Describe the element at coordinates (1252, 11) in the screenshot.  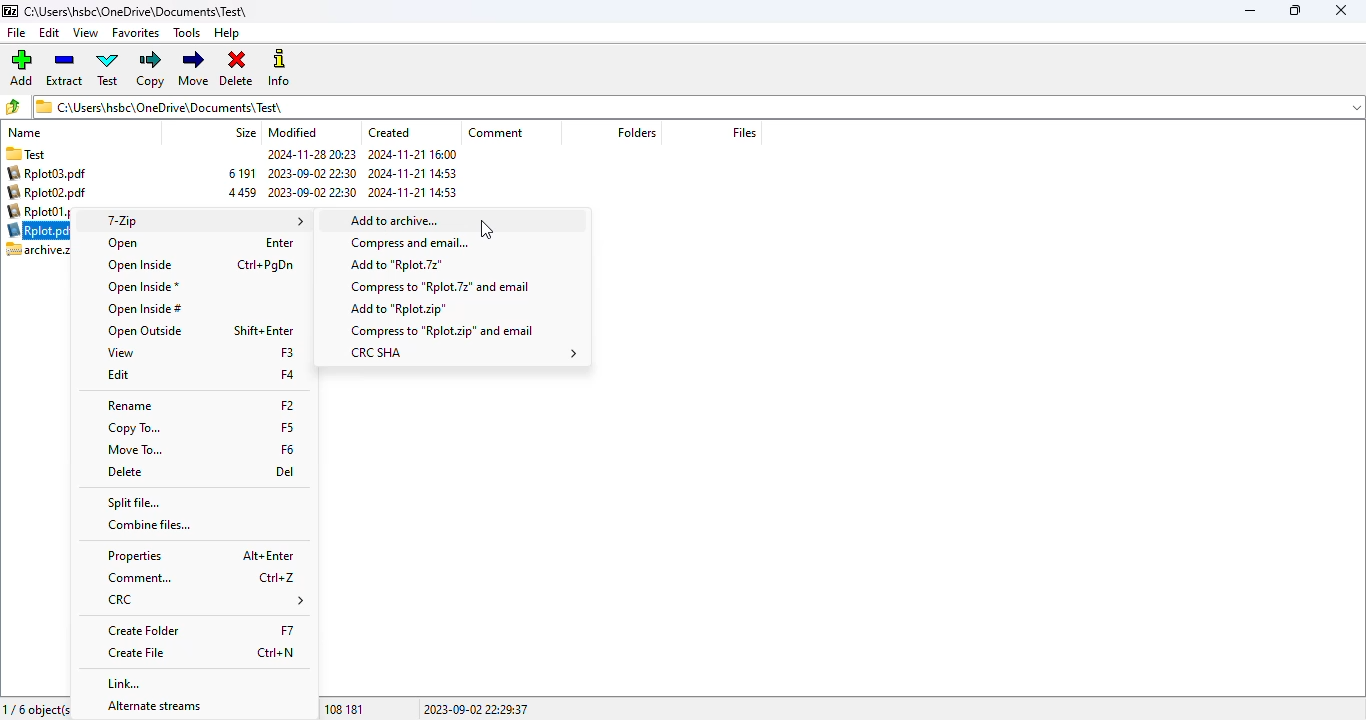
I see `minimize` at that location.